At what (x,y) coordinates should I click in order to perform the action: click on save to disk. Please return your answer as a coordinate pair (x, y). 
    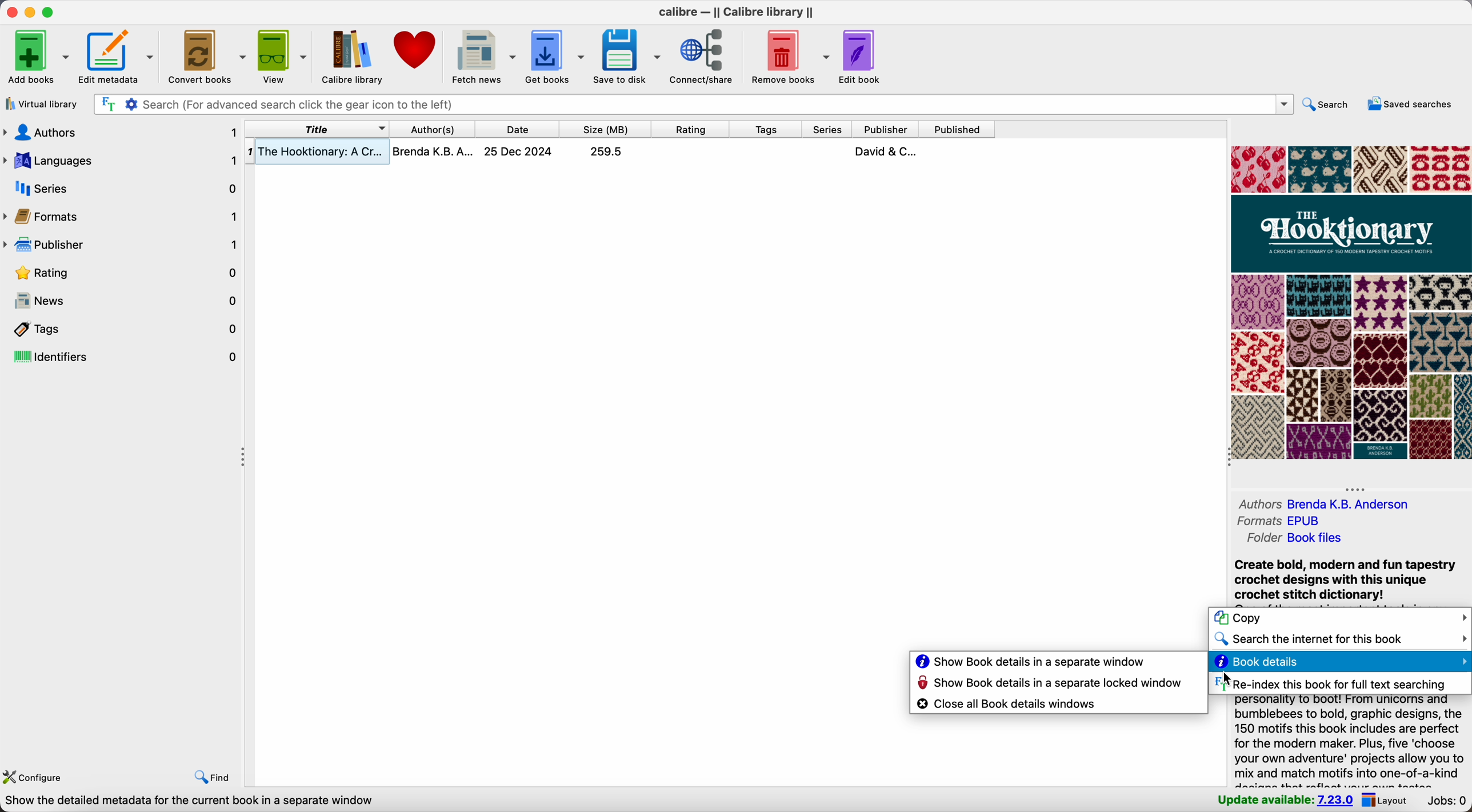
    Looking at the image, I should click on (629, 58).